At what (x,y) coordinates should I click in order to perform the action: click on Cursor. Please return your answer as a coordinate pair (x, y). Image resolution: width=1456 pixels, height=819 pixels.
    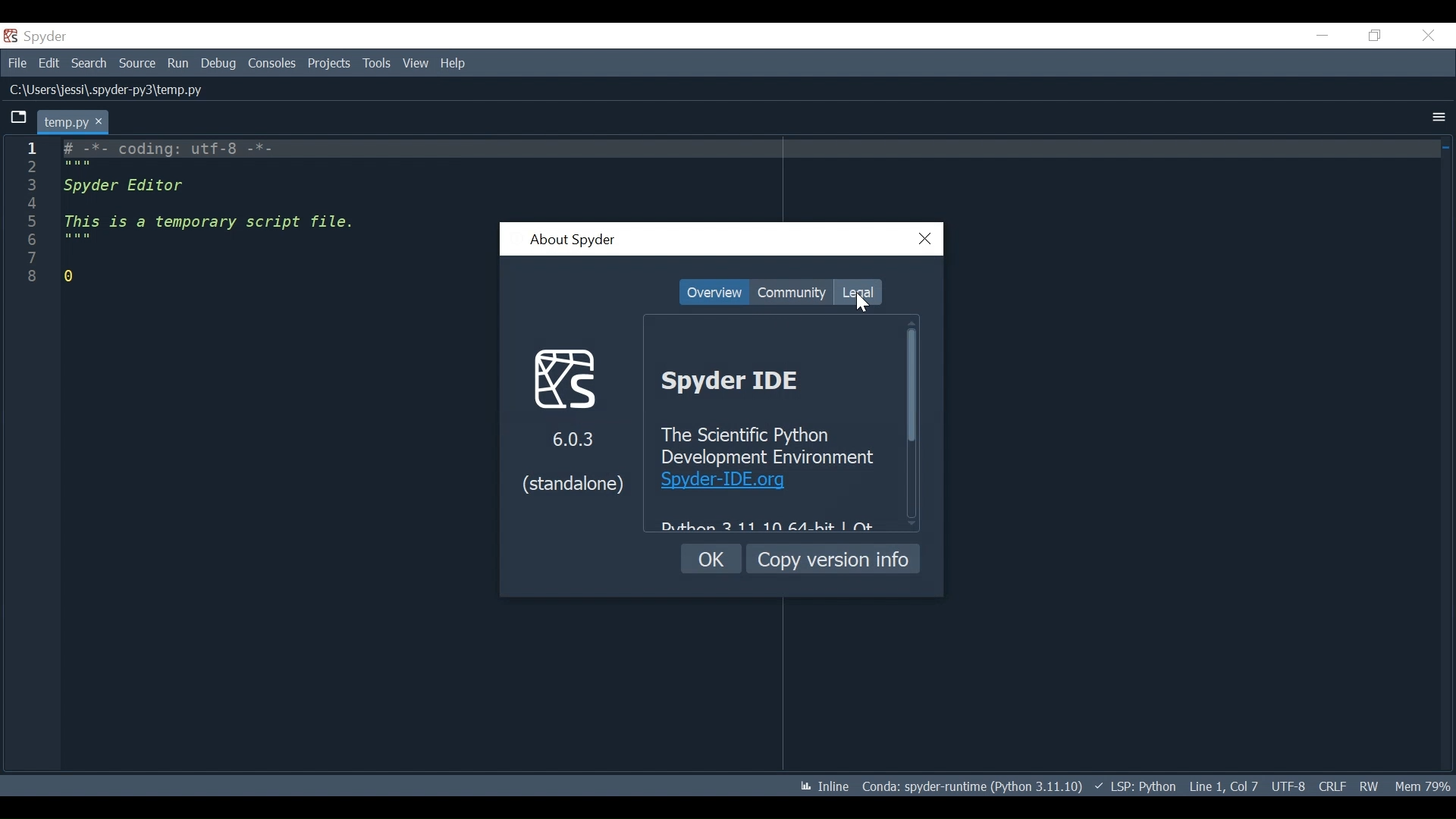
    Looking at the image, I should click on (861, 301).